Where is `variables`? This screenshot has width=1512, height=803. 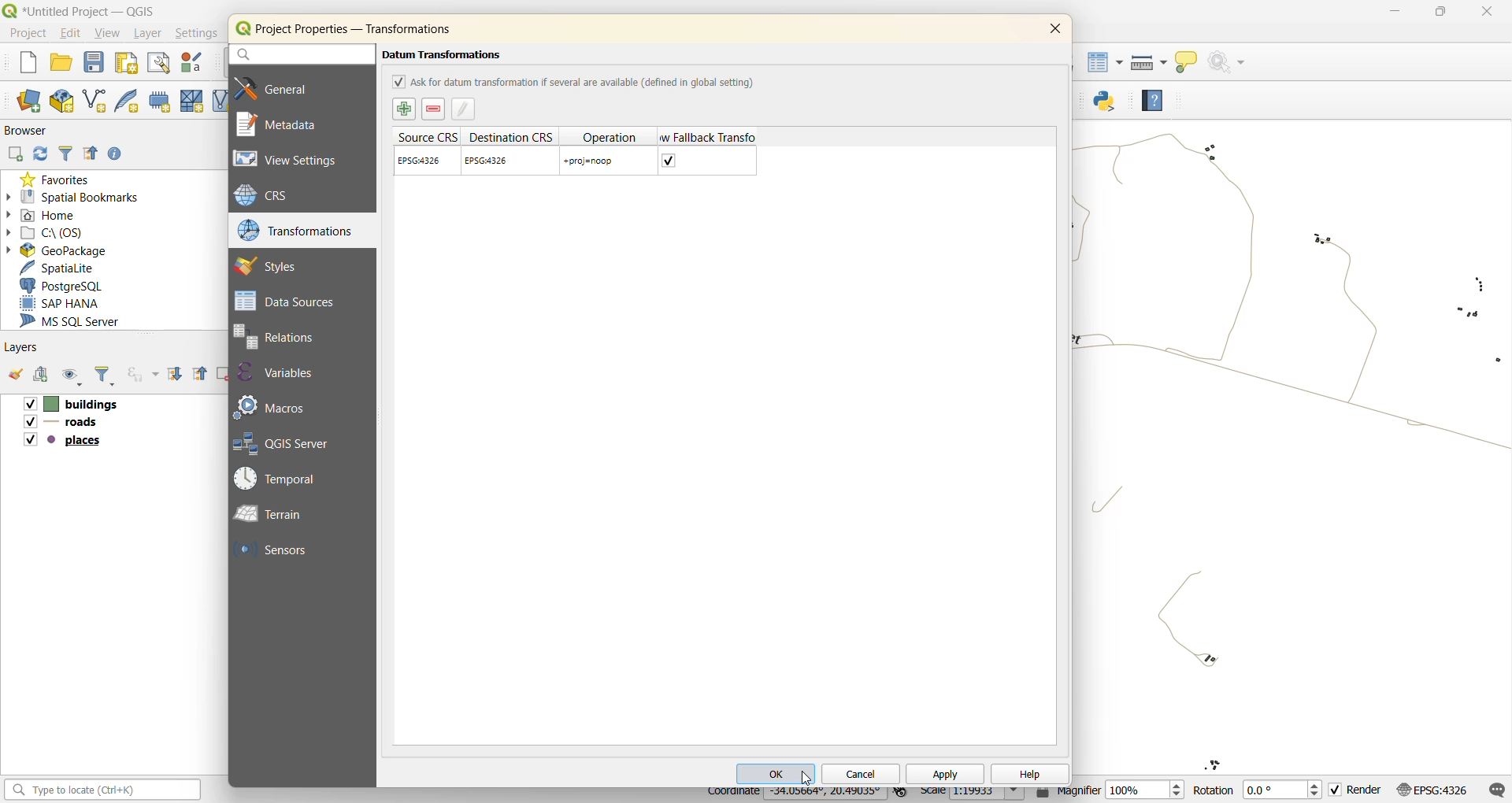
variables is located at coordinates (288, 373).